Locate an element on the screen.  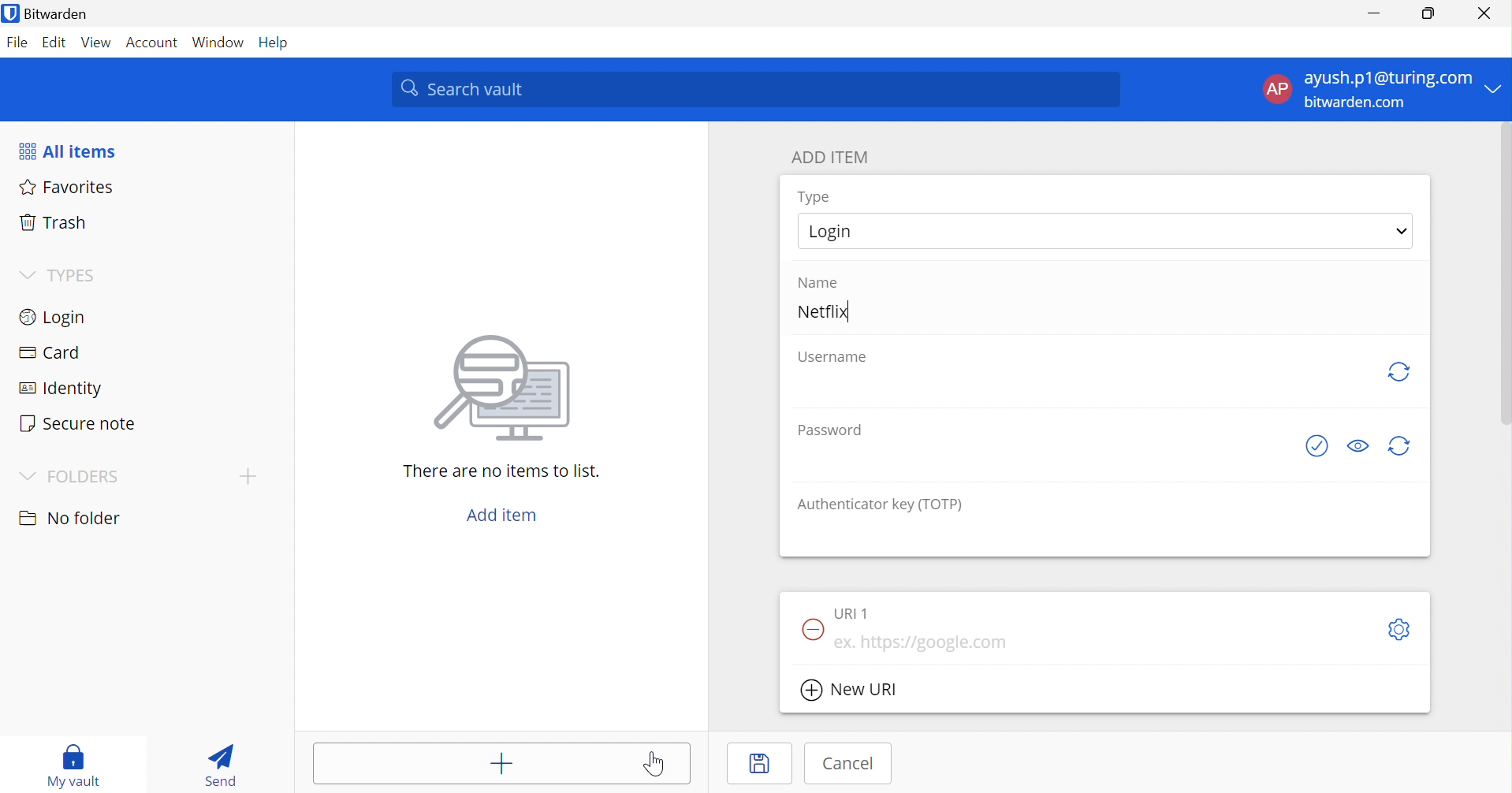
Cancel is located at coordinates (849, 764).